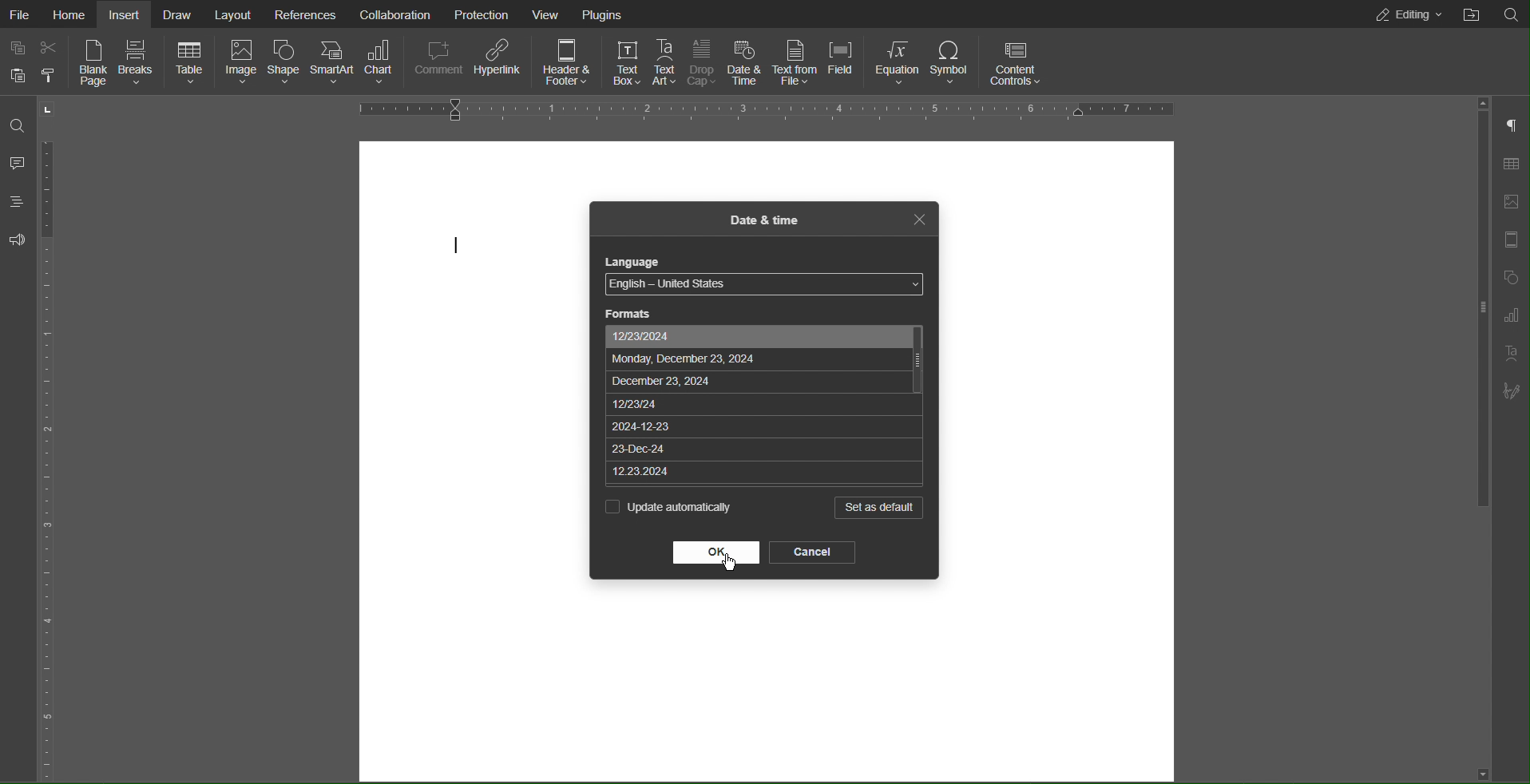  What do you see at coordinates (21, 14) in the screenshot?
I see `File` at bounding box center [21, 14].